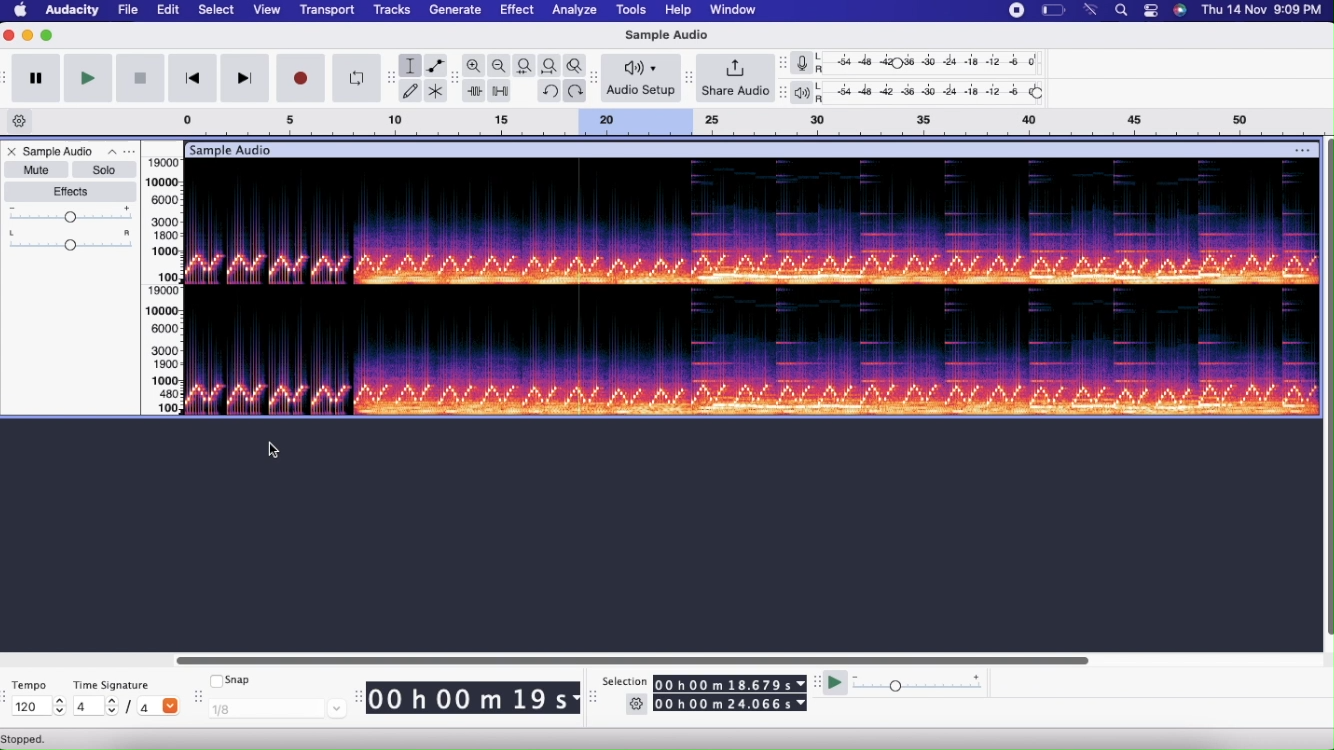  Describe the element at coordinates (577, 66) in the screenshot. I see `Zoom toggle` at that location.